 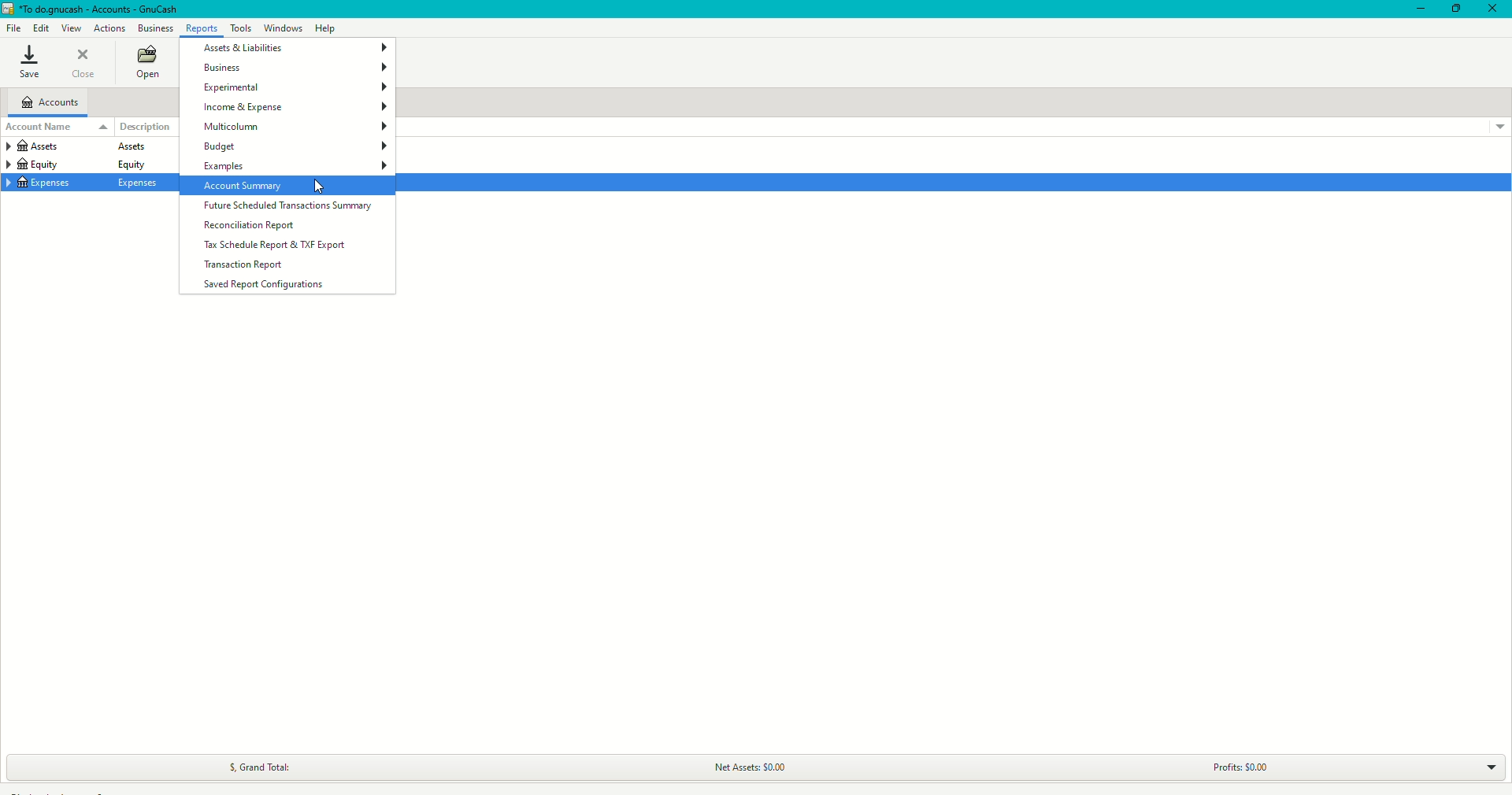 I want to click on cursor, so click(x=328, y=188).